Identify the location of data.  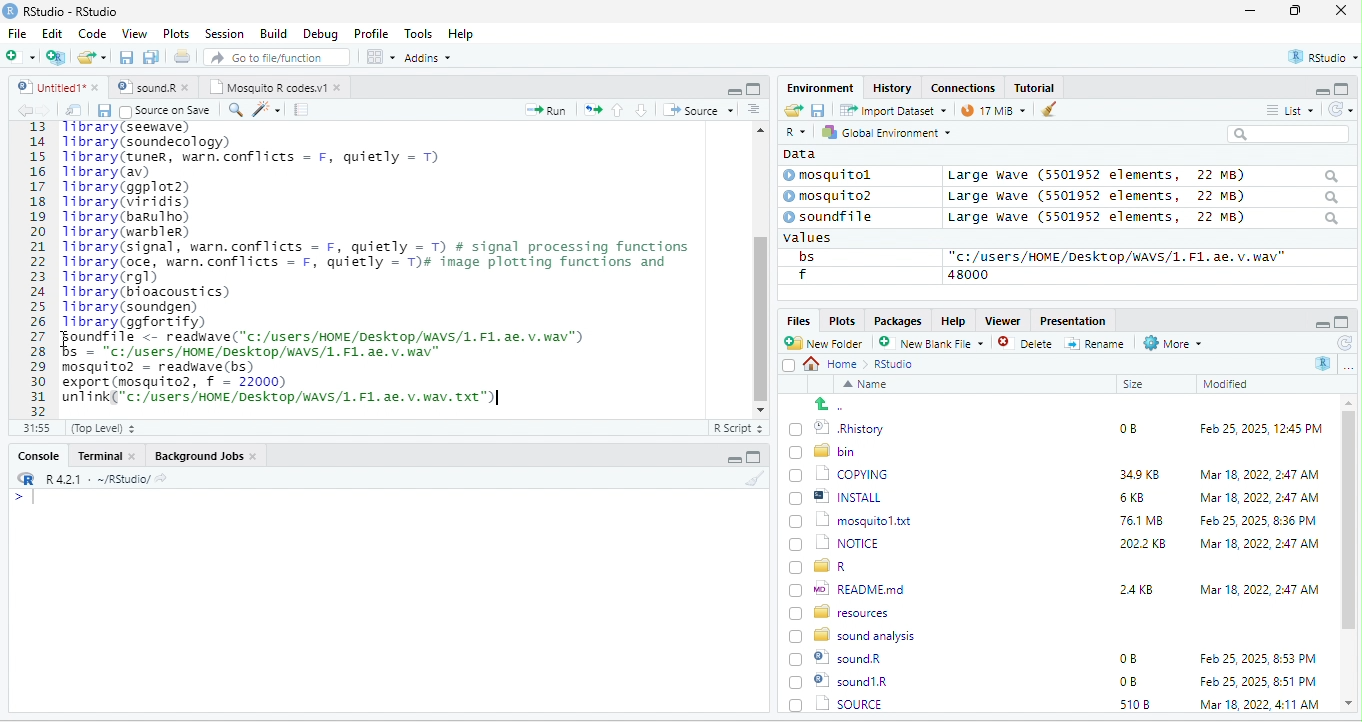
(797, 153).